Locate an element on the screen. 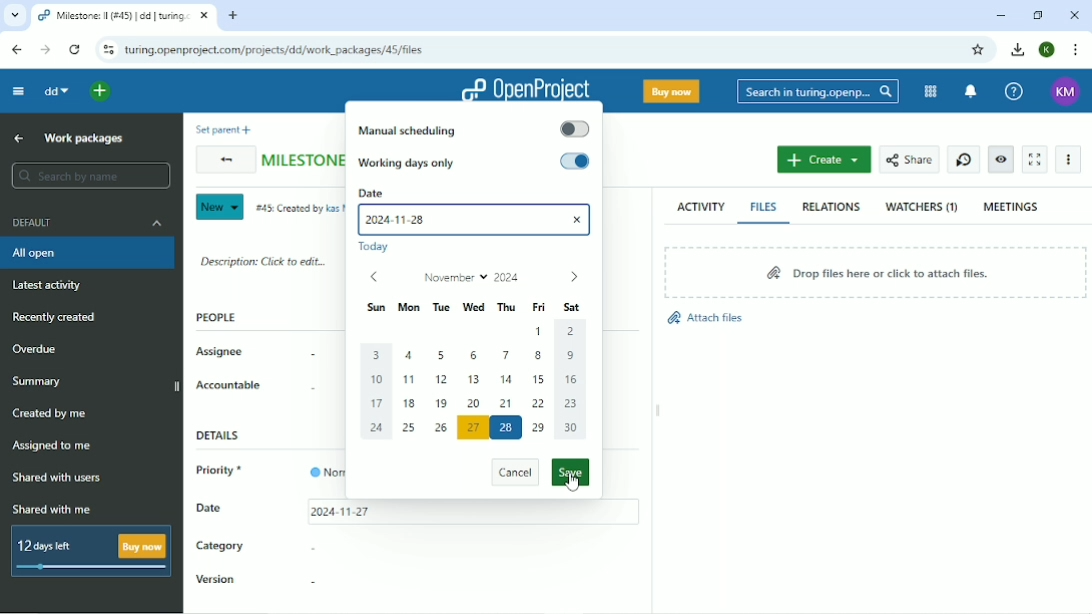  Files is located at coordinates (764, 206).